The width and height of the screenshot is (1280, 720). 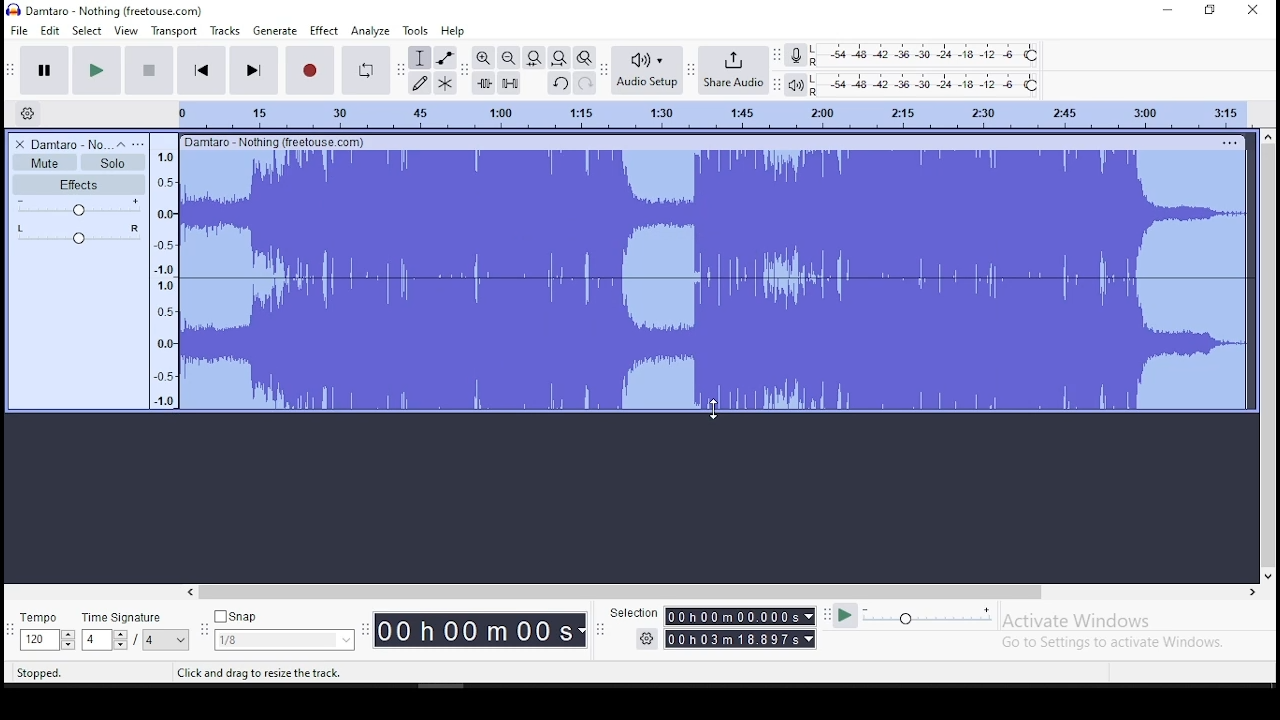 What do you see at coordinates (67, 641) in the screenshot?
I see `Drop down` at bounding box center [67, 641].